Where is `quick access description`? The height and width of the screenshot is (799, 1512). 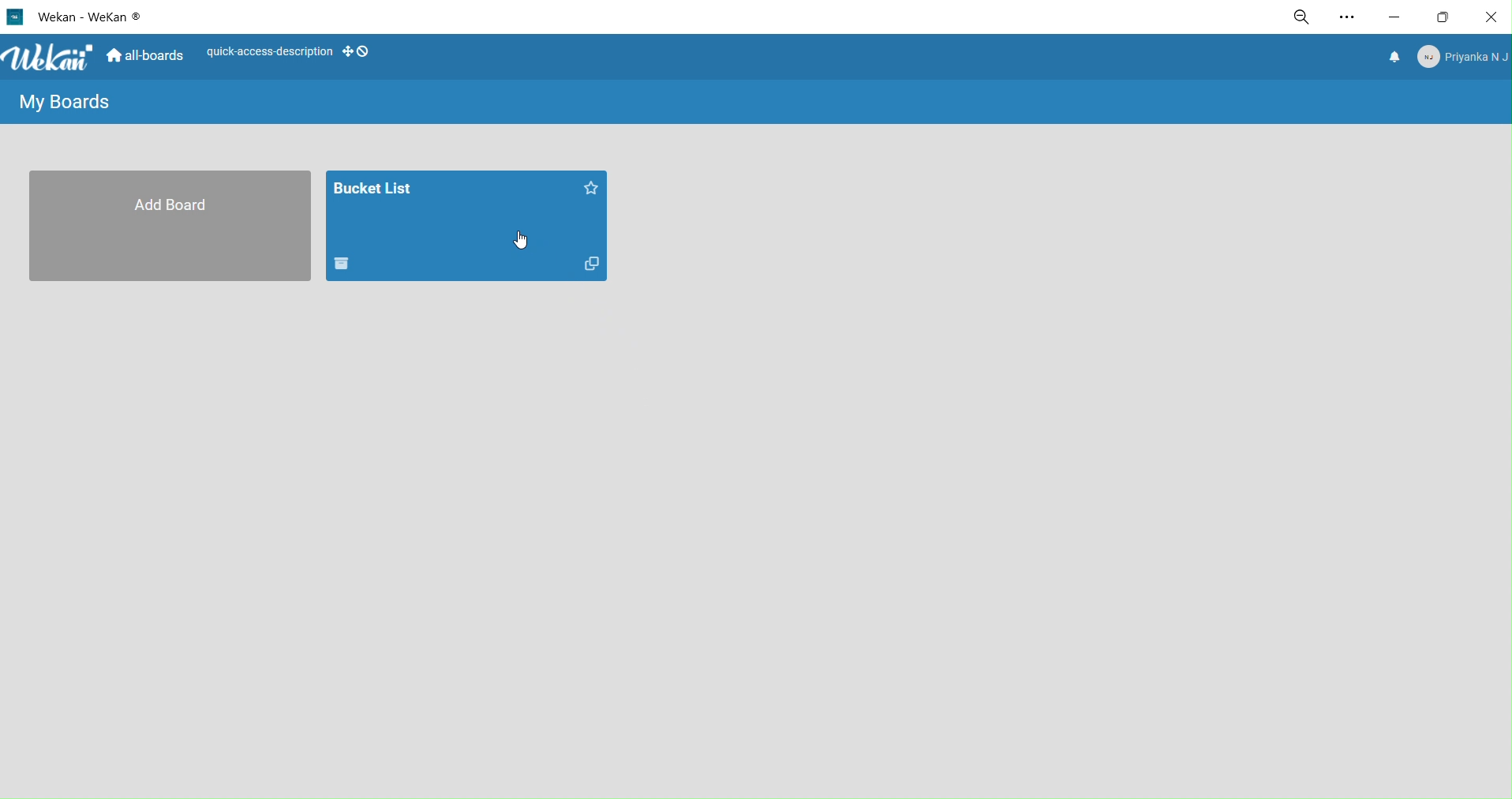 quick access description is located at coordinates (269, 54).